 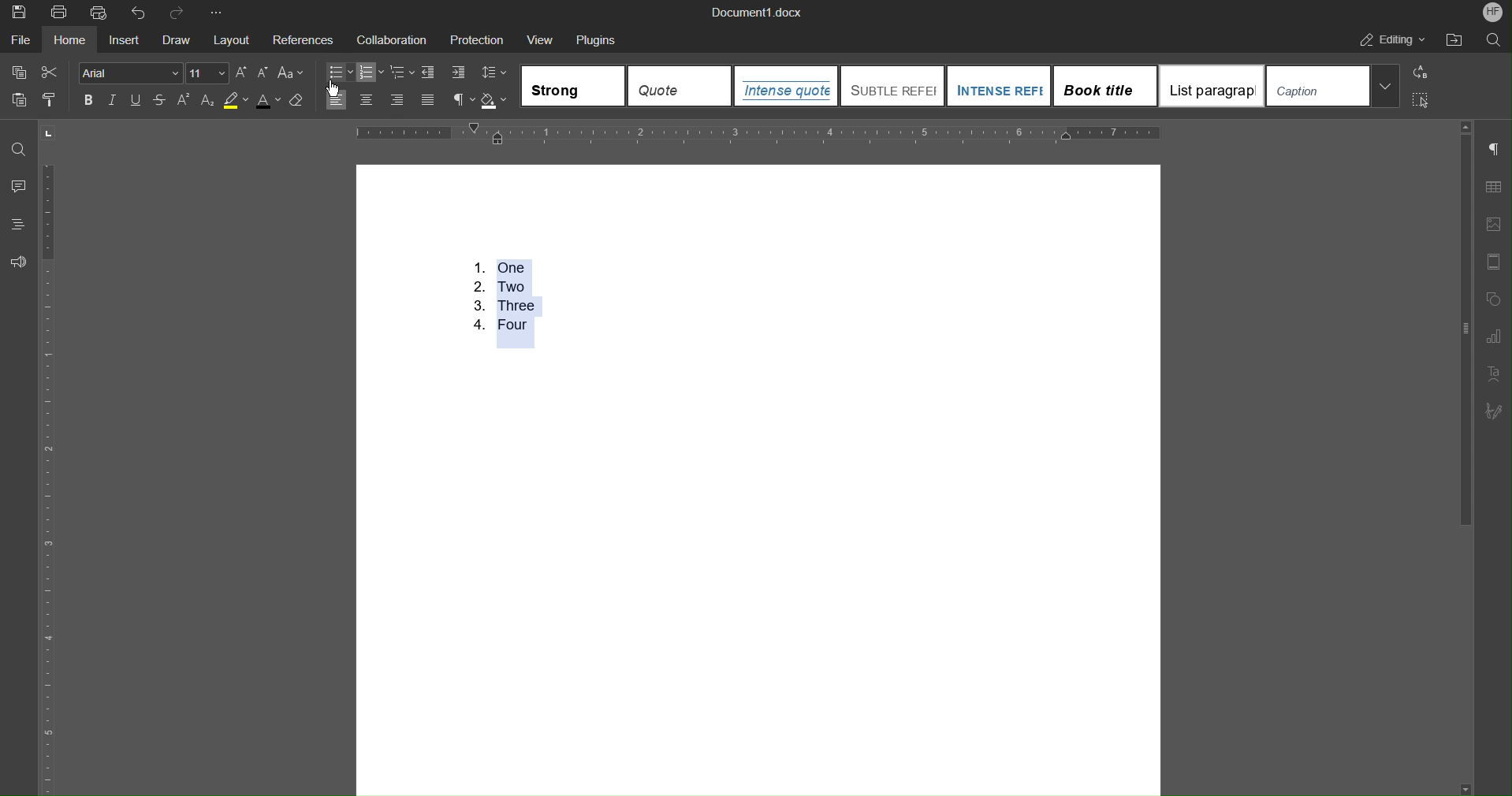 What do you see at coordinates (19, 261) in the screenshot?
I see `Feedback and Support` at bounding box center [19, 261].